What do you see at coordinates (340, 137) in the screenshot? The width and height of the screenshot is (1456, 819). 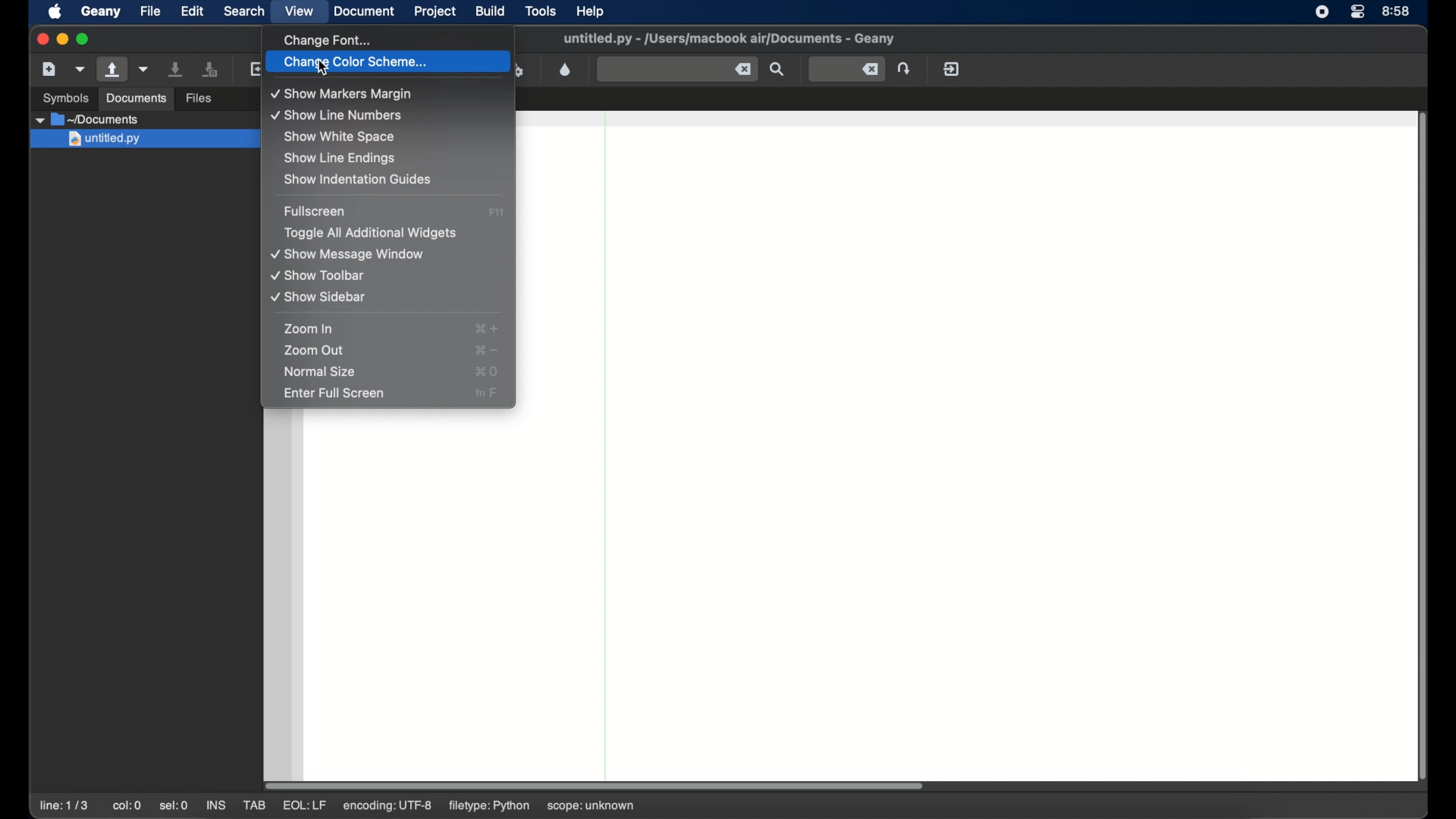 I see `show white space` at bounding box center [340, 137].